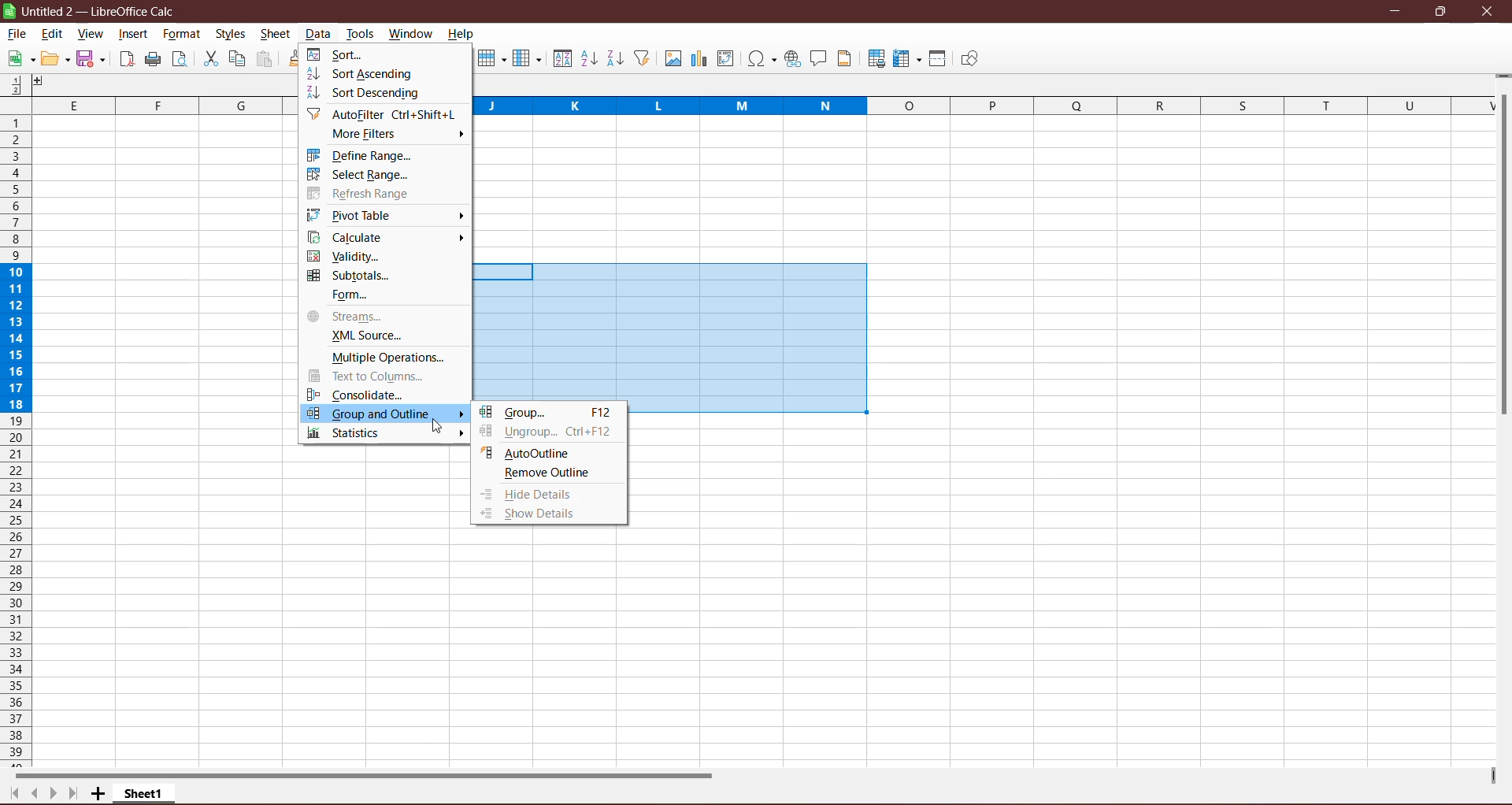  What do you see at coordinates (98, 794) in the screenshot?
I see `Add New Sheet` at bounding box center [98, 794].